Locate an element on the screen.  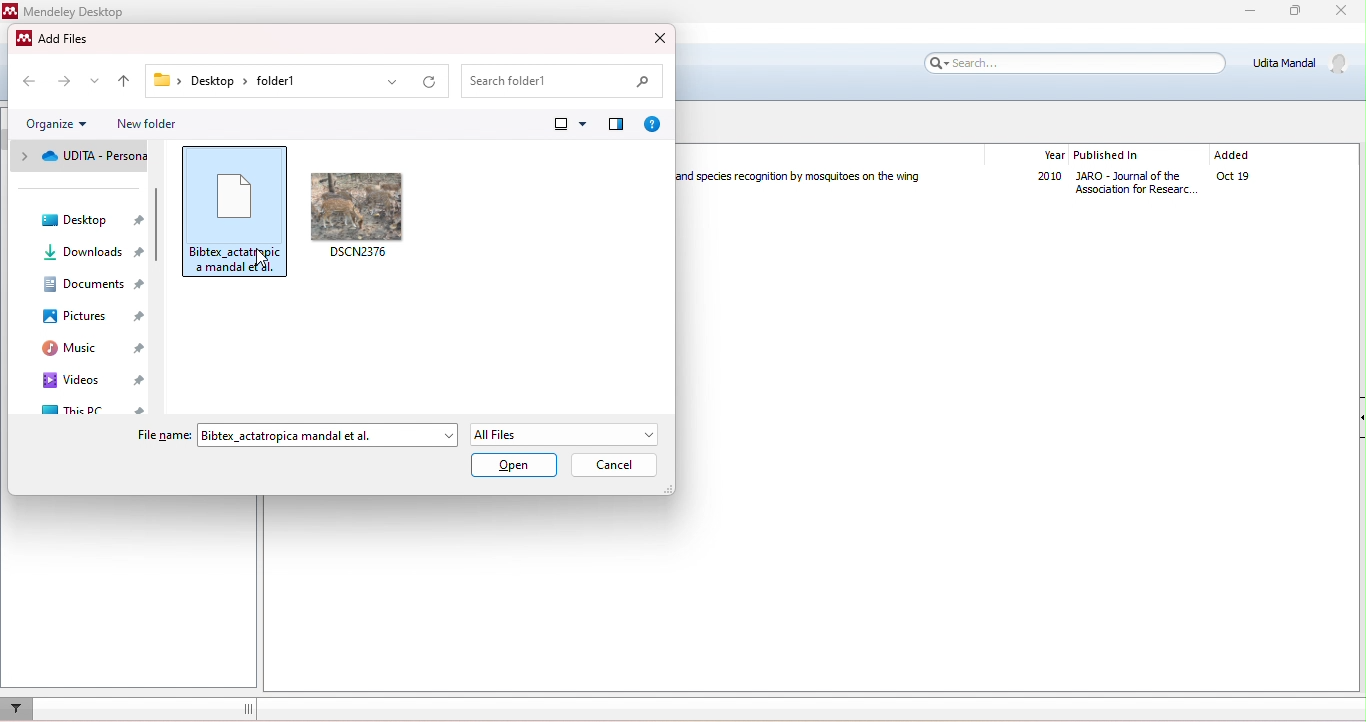
close is located at coordinates (1339, 11).